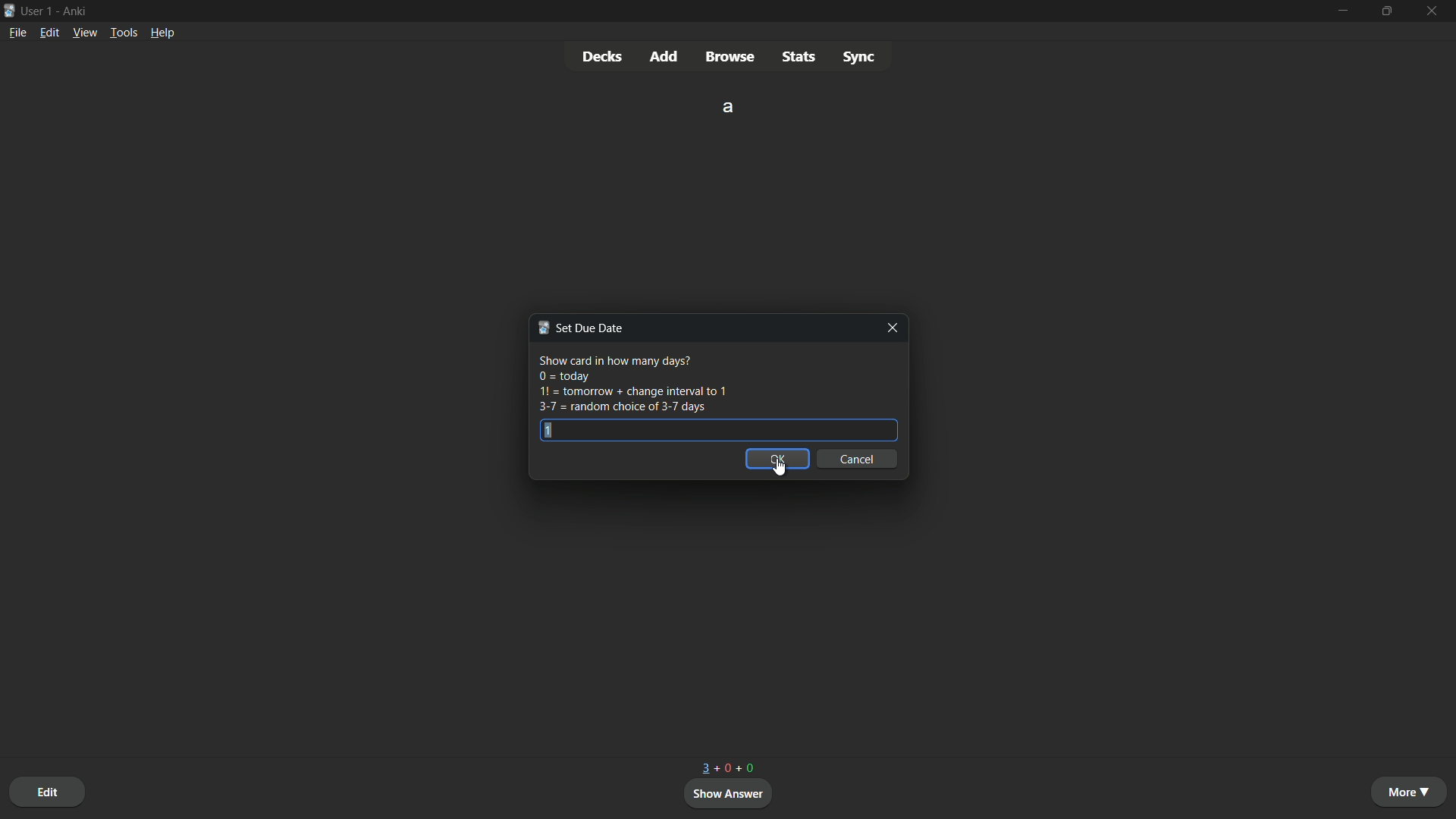 This screenshot has height=819, width=1456. What do you see at coordinates (1345, 11) in the screenshot?
I see `minimize` at bounding box center [1345, 11].